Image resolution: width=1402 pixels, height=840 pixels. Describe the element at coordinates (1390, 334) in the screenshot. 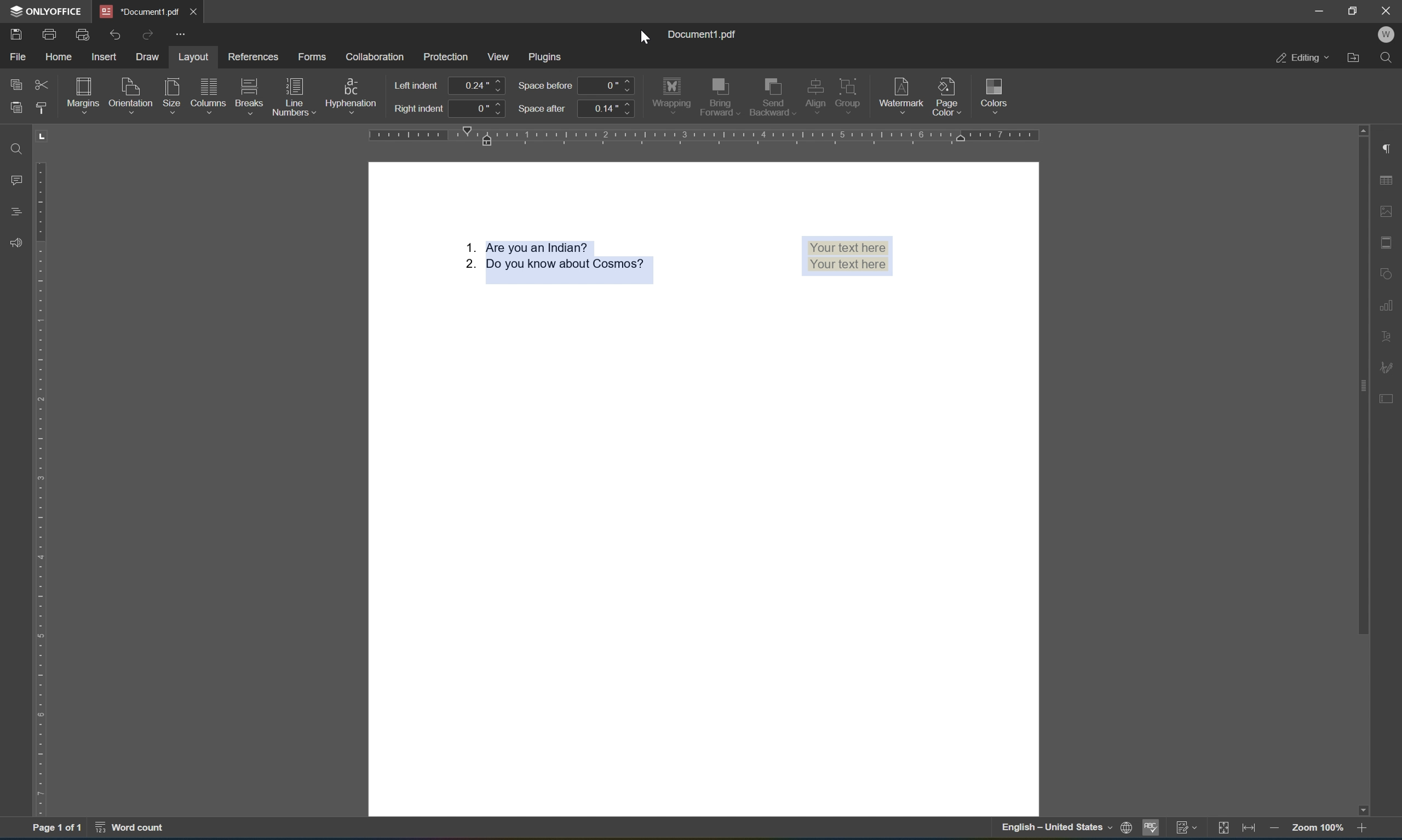

I see `text art settings` at that location.